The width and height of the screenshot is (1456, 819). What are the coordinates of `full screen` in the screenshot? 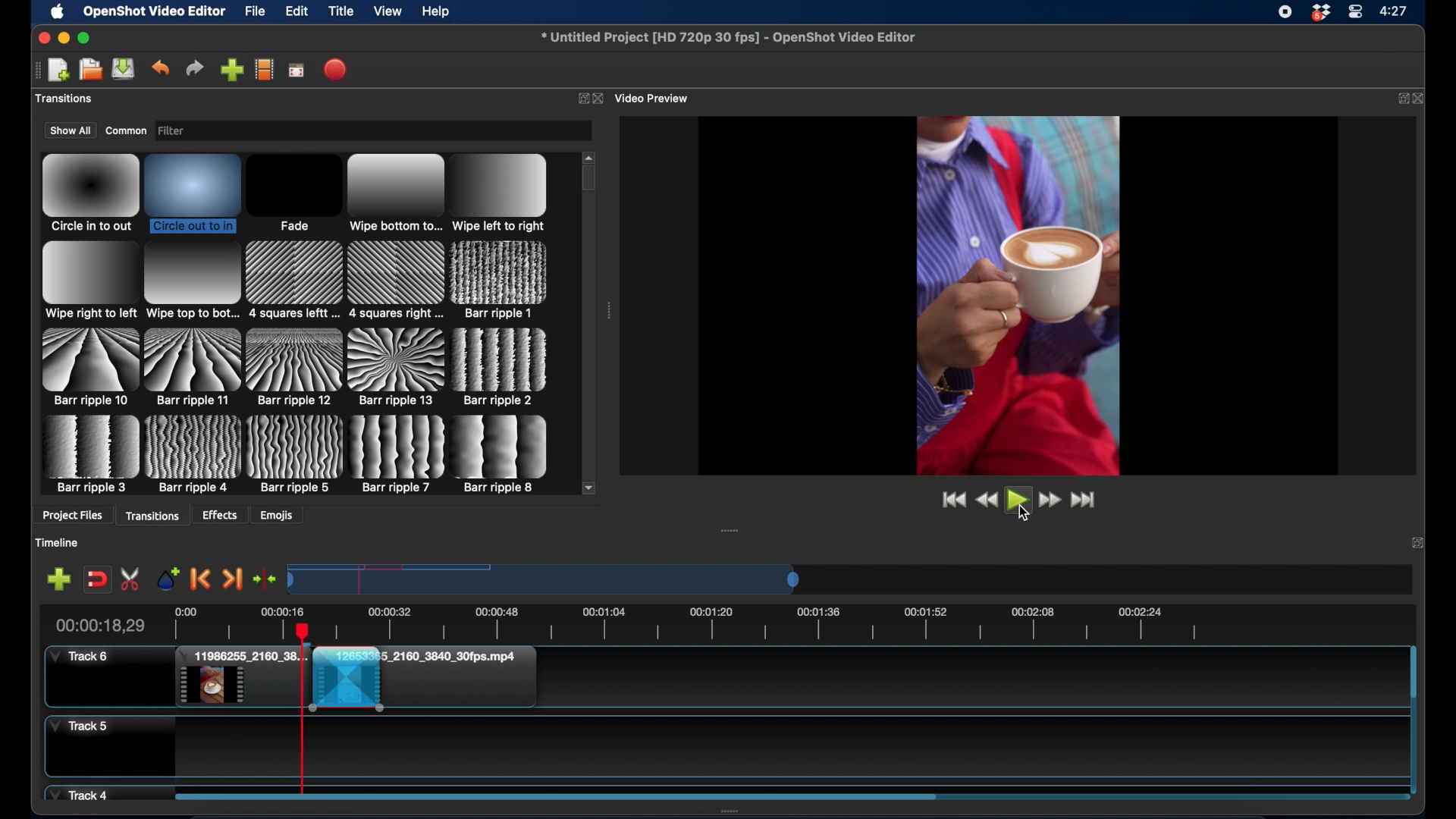 It's located at (297, 69).